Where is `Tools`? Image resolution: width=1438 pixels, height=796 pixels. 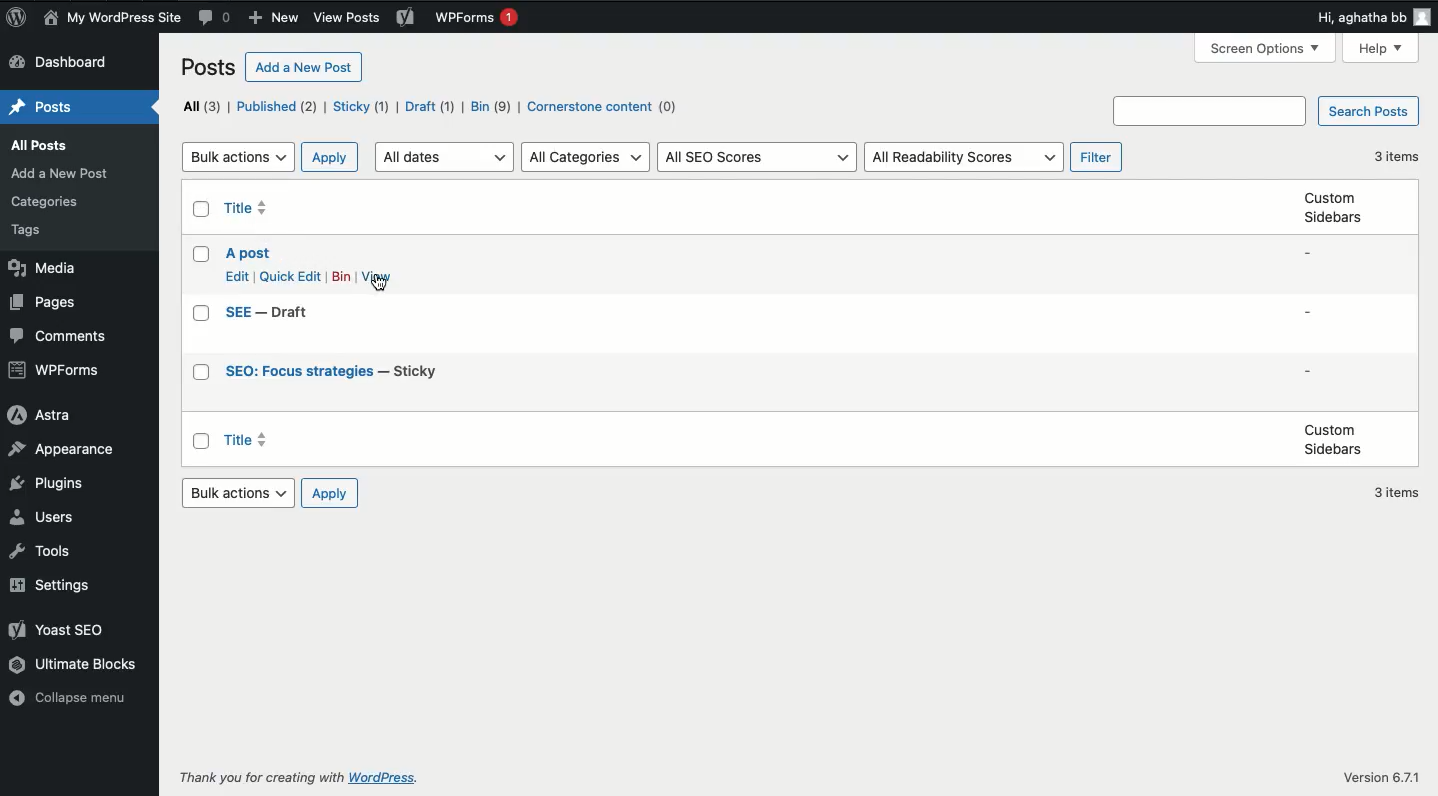 Tools is located at coordinates (45, 552).